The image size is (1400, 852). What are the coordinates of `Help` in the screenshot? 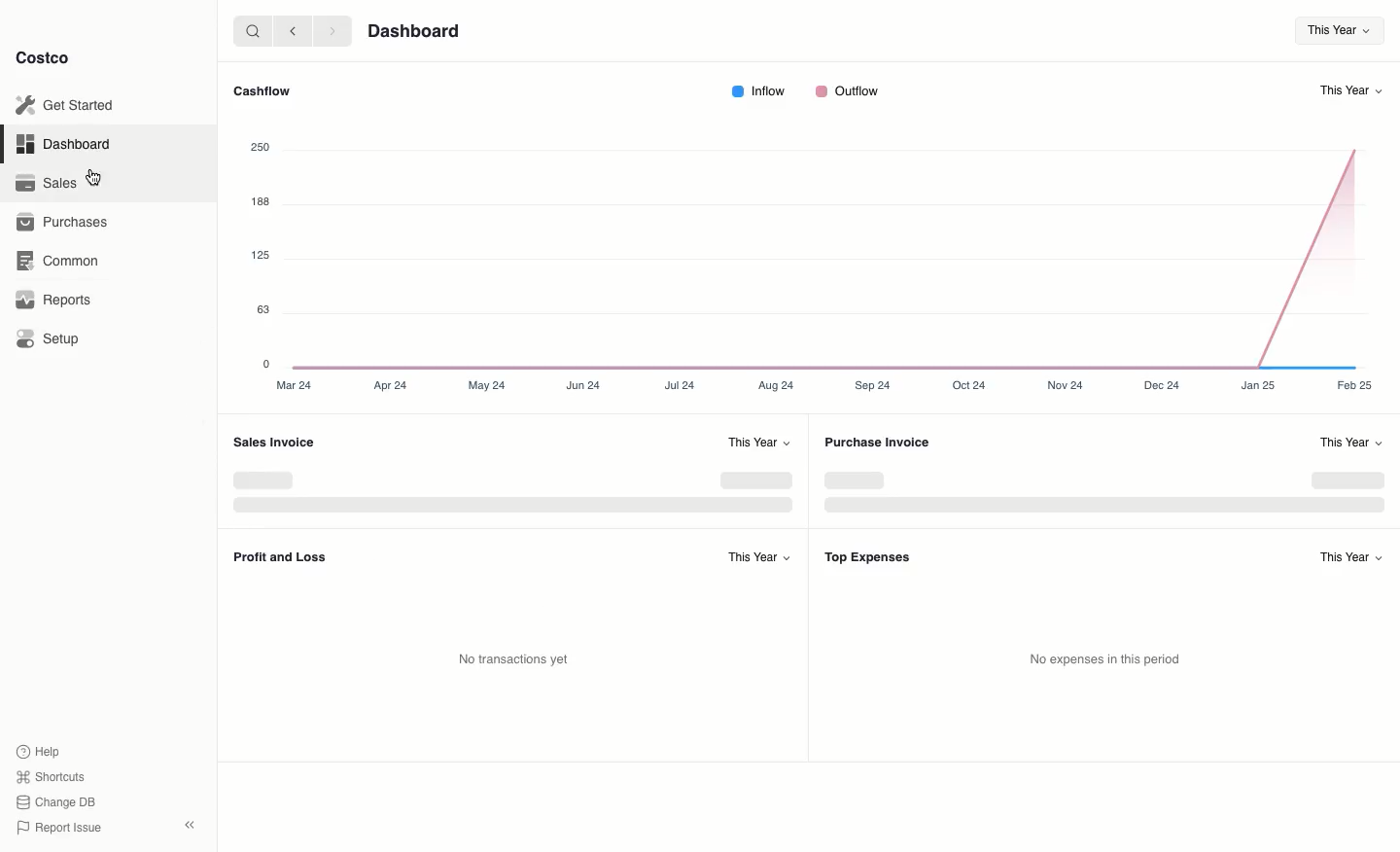 It's located at (40, 750).